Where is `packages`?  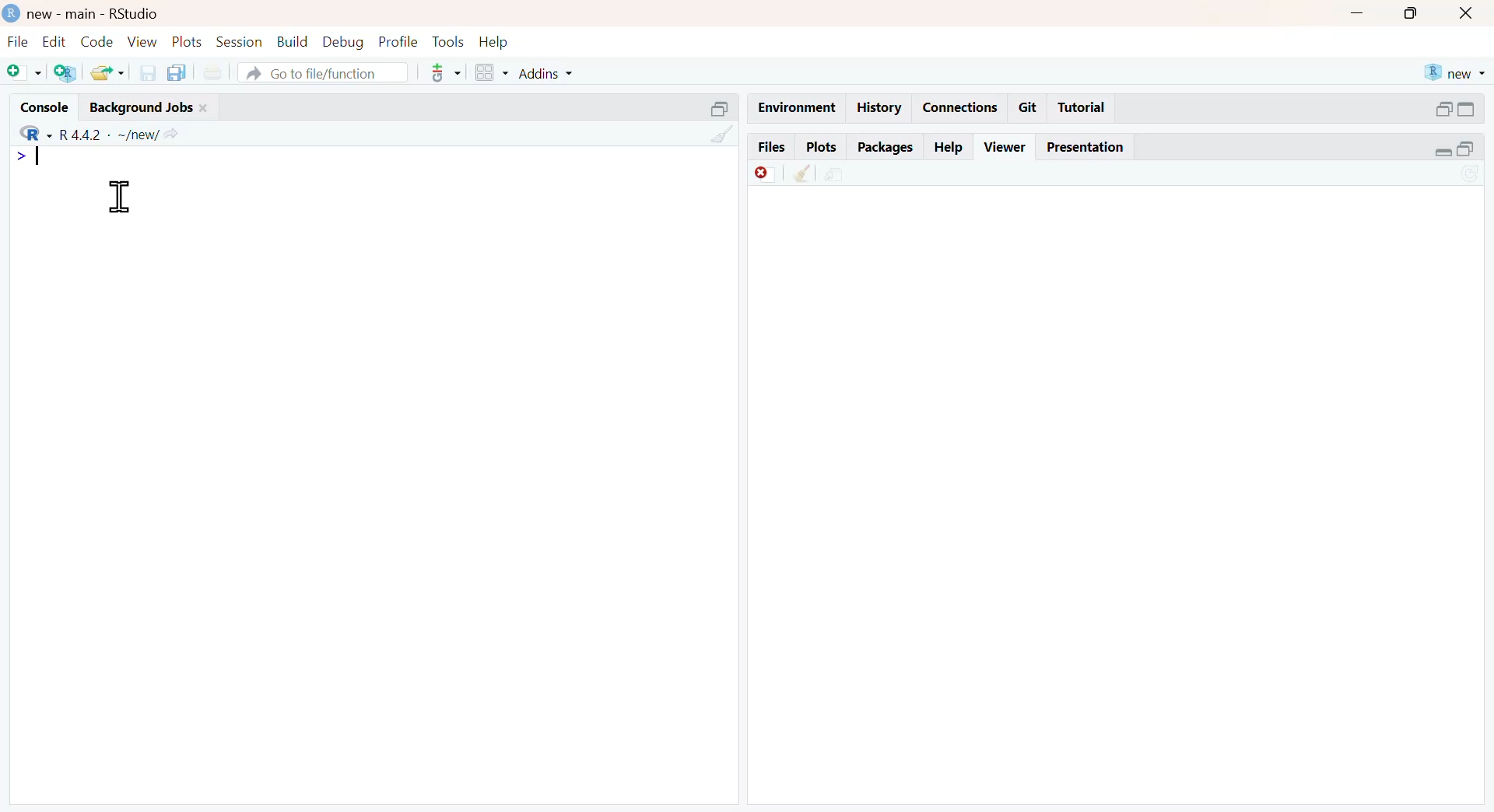
packages is located at coordinates (886, 148).